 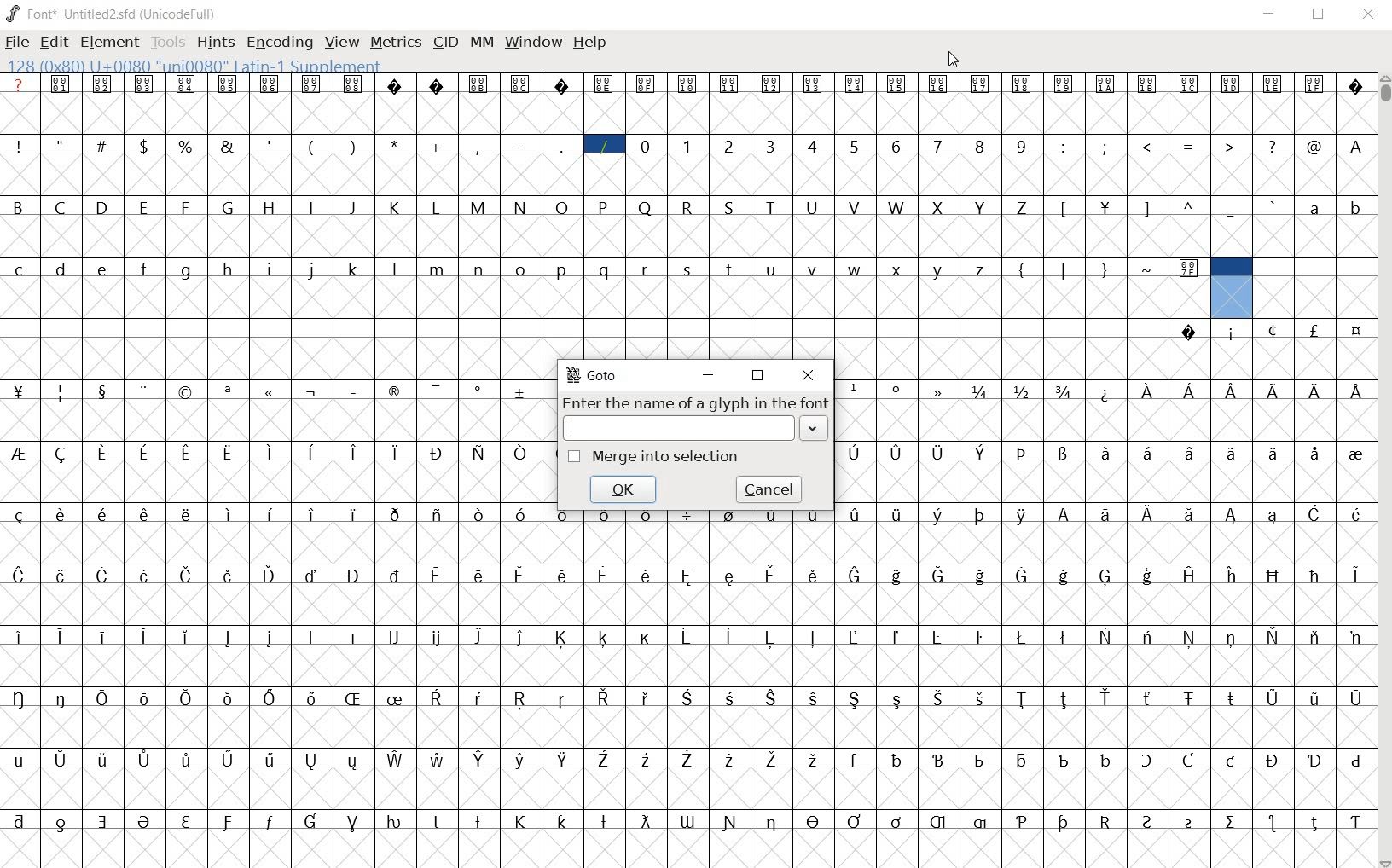 What do you see at coordinates (351, 84) in the screenshot?
I see `Symbol` at bounding box center [351, 84].